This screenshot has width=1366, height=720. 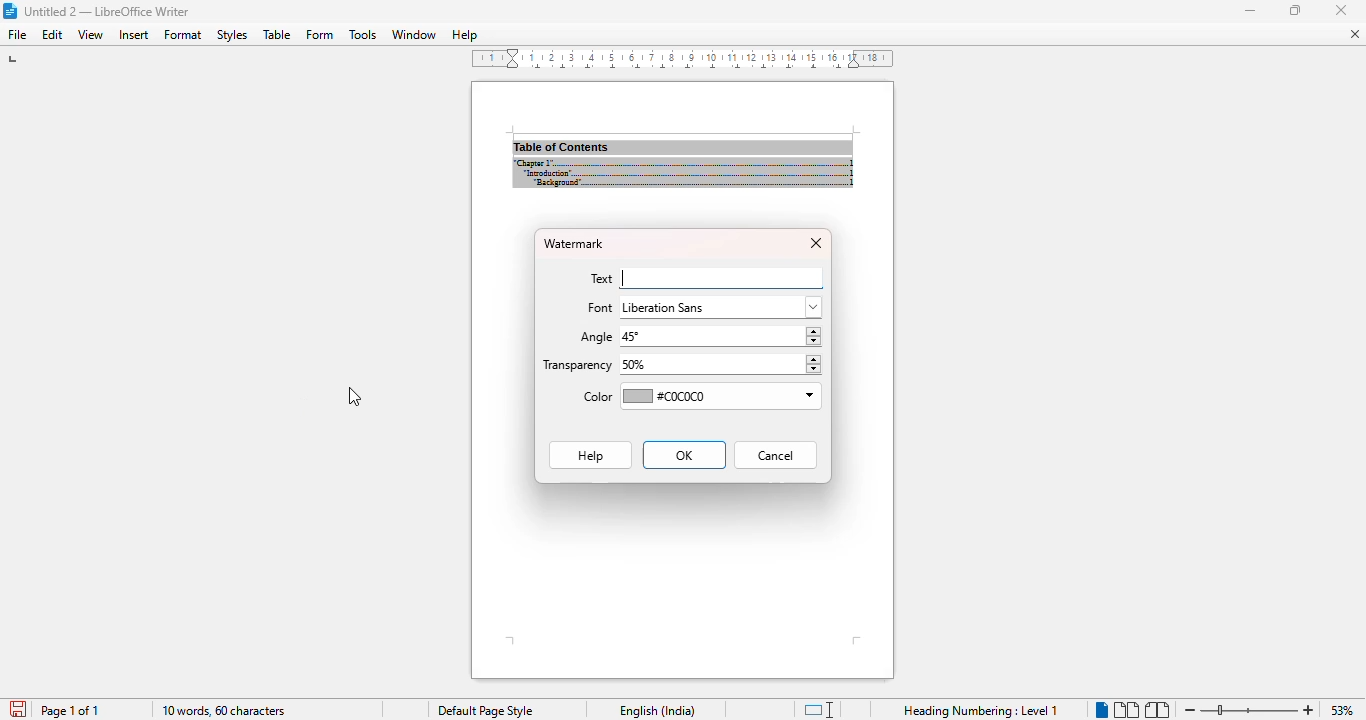 What do you see at coordinates (70, 711) in the screenshot?
I see `page 1 of 1` at bounding box center [70, 711].